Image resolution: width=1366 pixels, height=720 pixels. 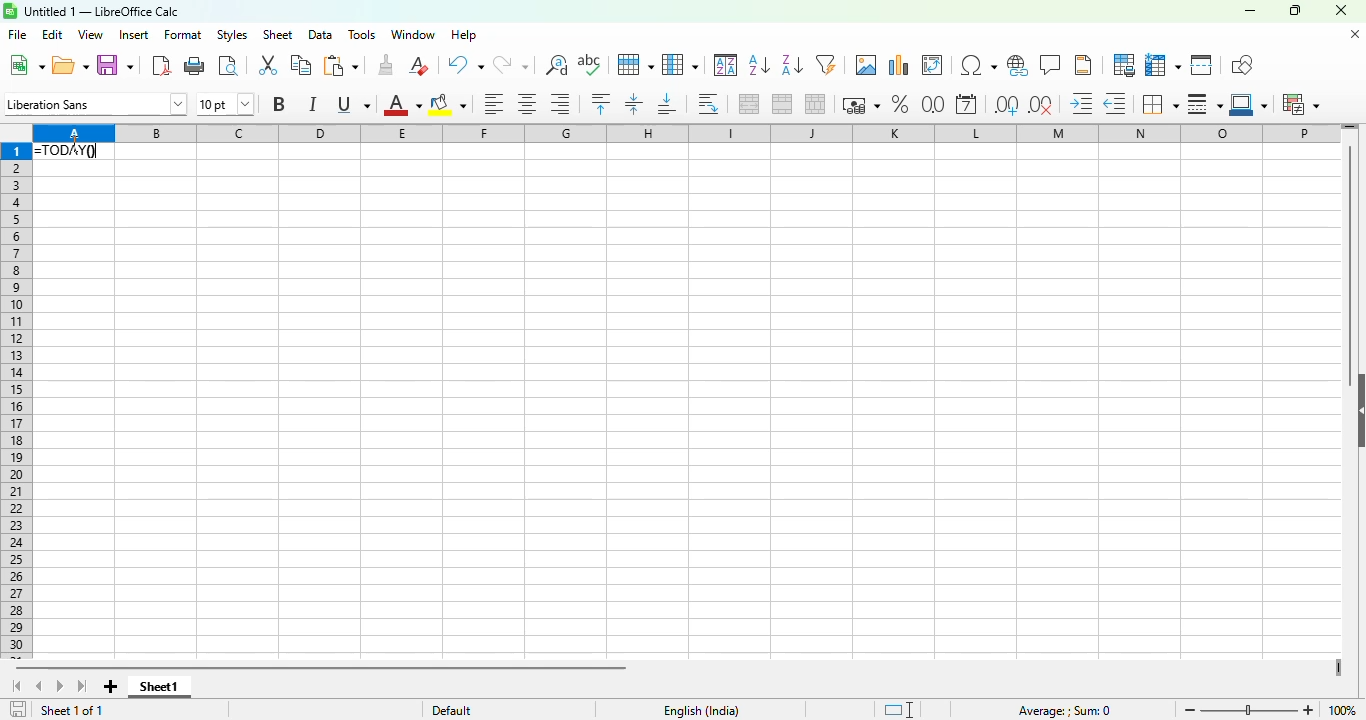 What do you see at coordinates (1340, 10) in the screenshot?
I see `close` at bounding box center [1340, 10].